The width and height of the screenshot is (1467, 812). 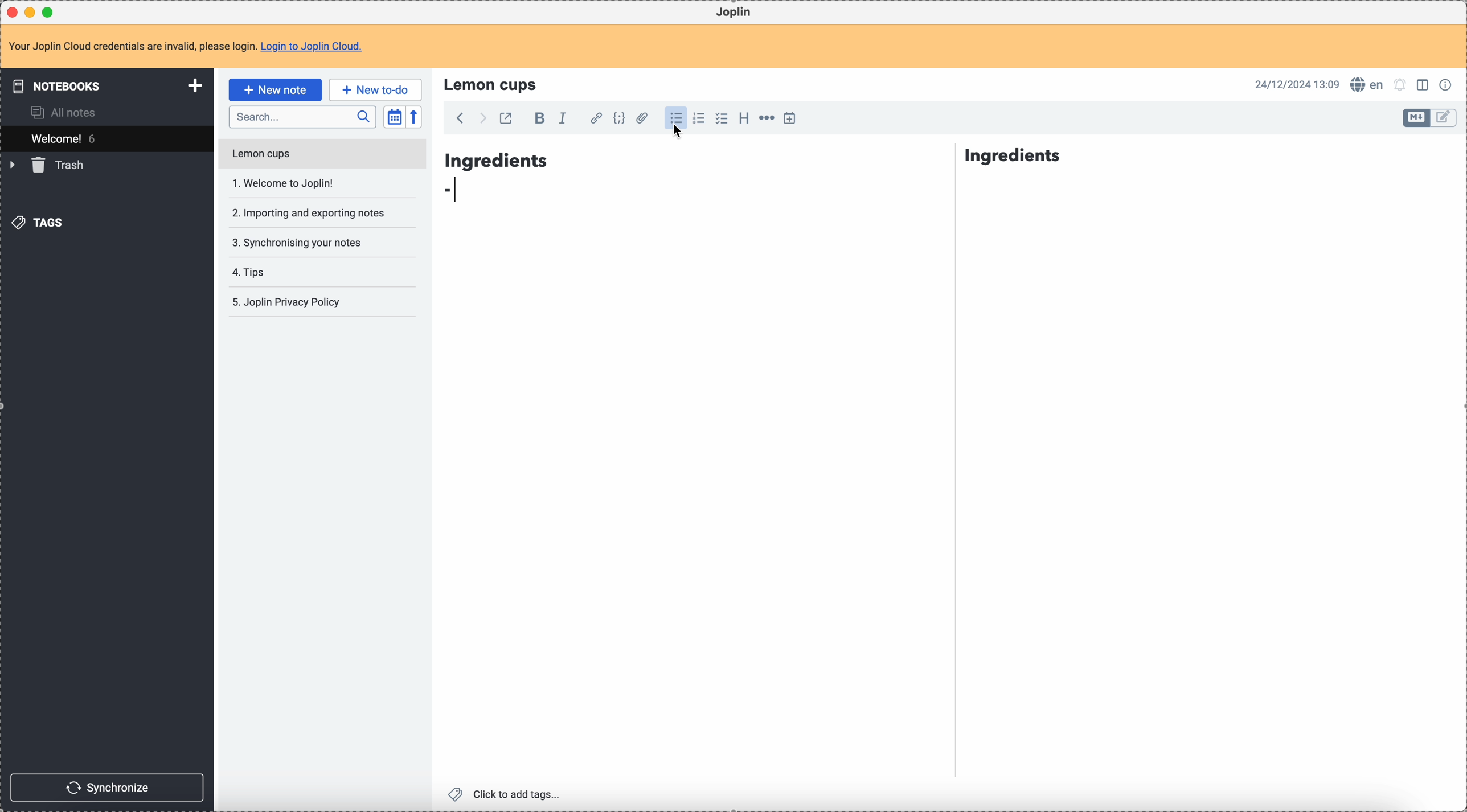 I want to click on numbered list, so click(x=700, y=118).